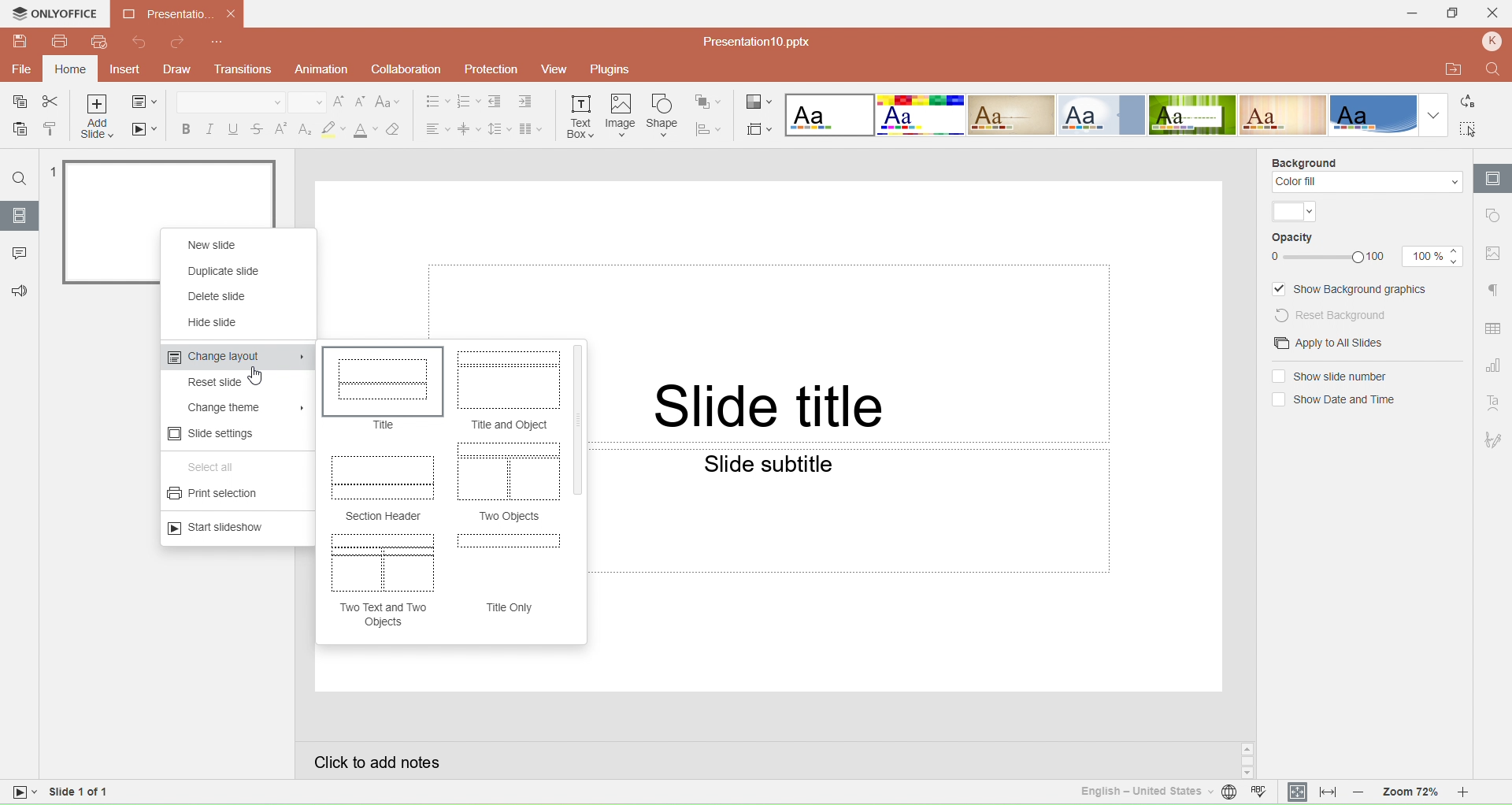 Image resolution: width=1512 pixels, height=805 pixels. I want to click on Select slide size, so click(759, 126).